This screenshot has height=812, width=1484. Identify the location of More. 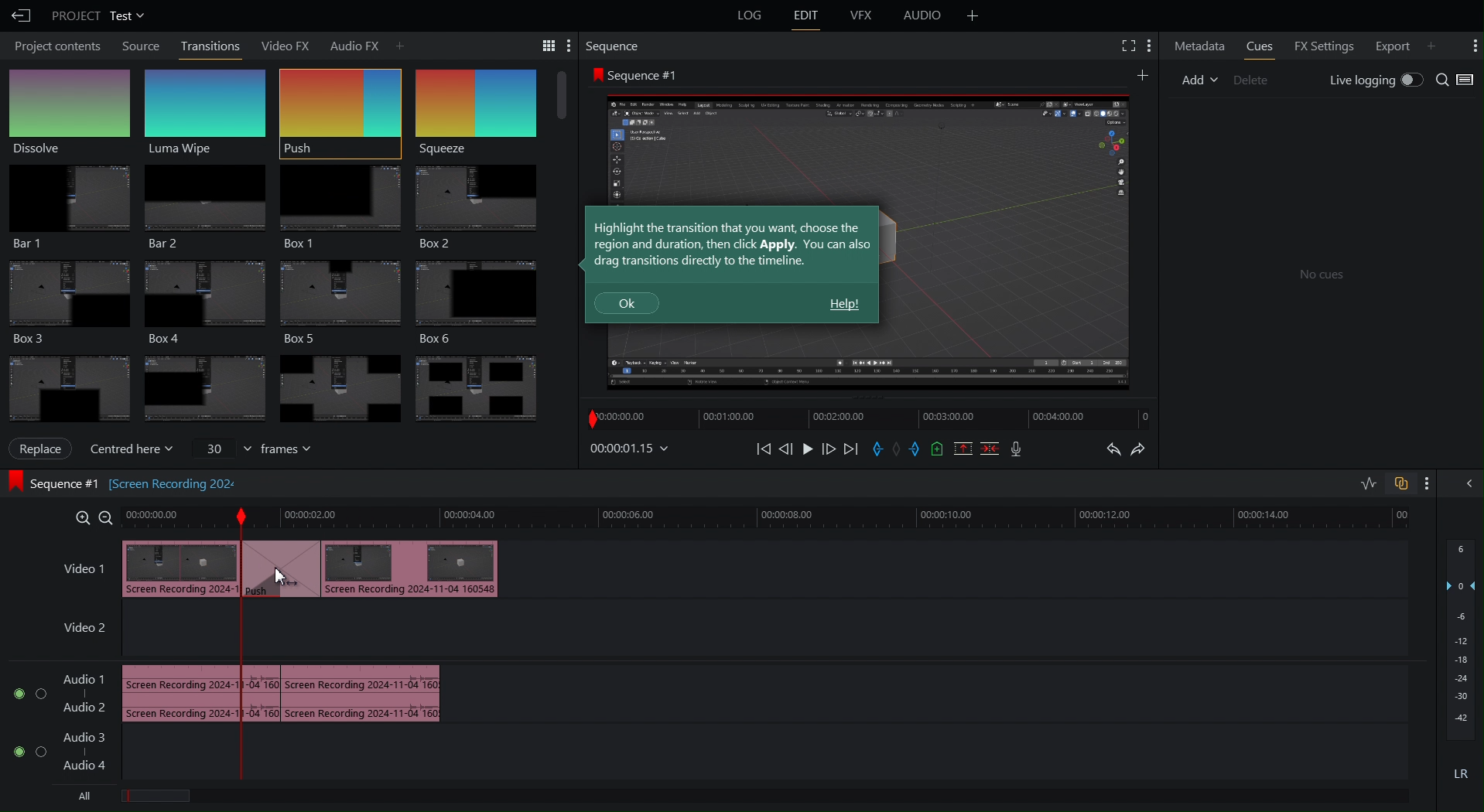
(1143, 73).